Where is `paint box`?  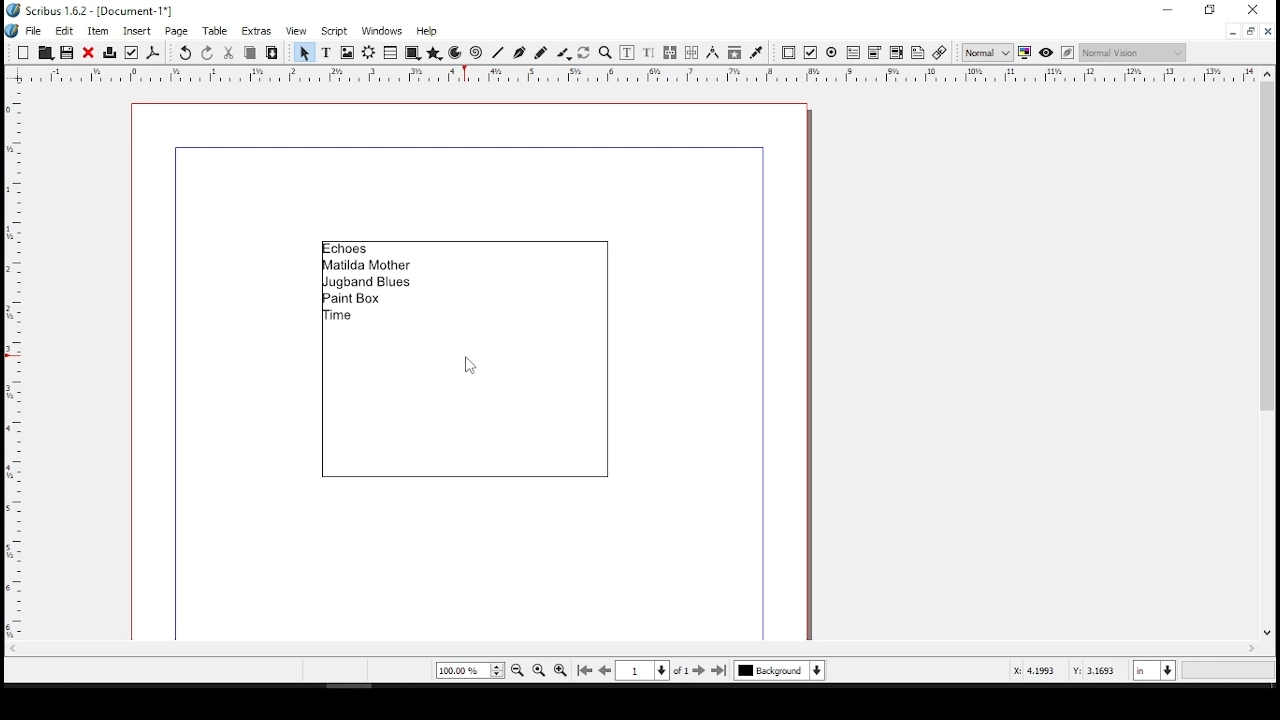 paint box is located at coordinates (358, 299).